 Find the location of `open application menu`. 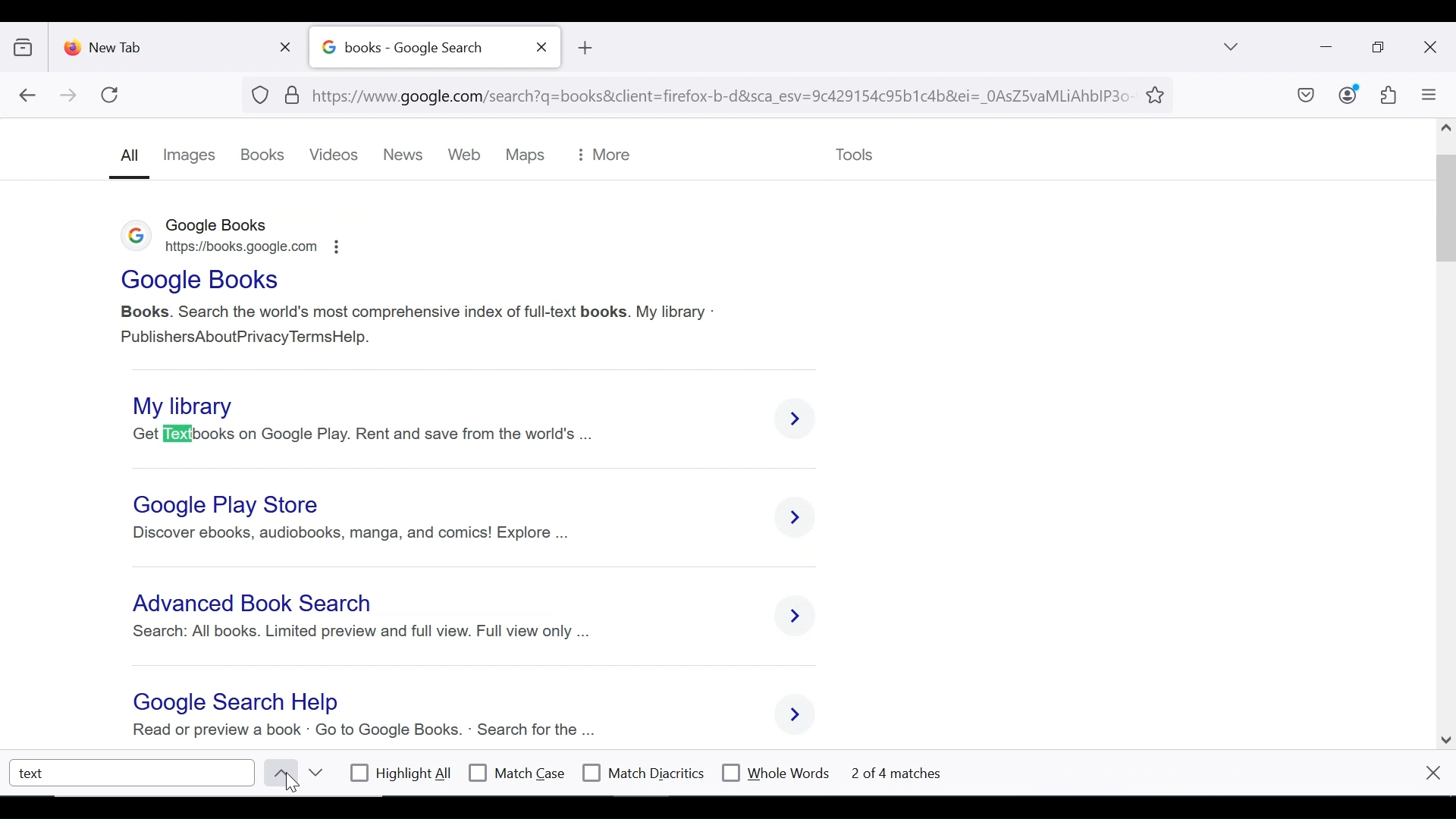

open application menu is located at coordinates (1428, 95).